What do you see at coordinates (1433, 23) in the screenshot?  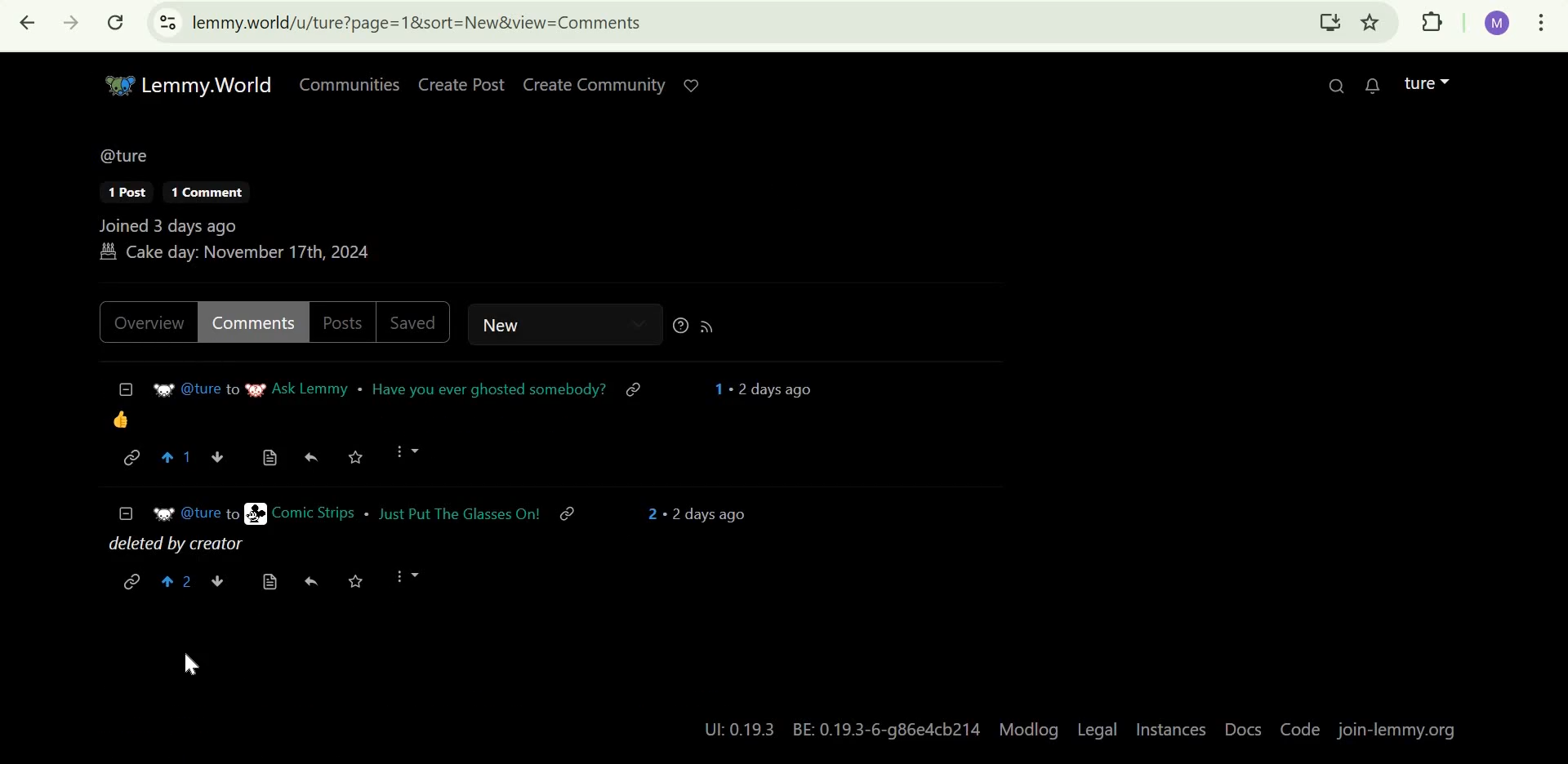 I see `extensions` at bounding box center [1433, 23].